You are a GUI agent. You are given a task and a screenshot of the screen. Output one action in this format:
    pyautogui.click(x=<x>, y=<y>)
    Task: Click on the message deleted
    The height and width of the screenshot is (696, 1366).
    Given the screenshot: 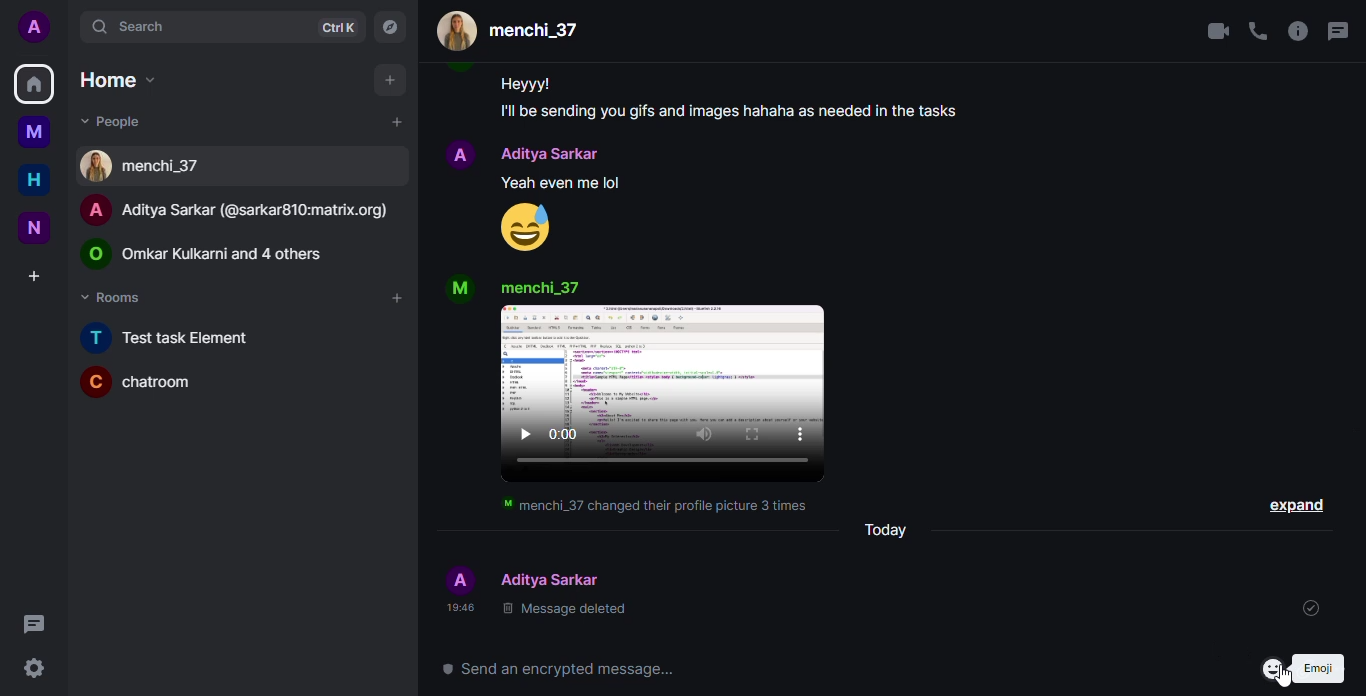 What is the action you would take?
    pyautogui.click(x=566, y=610)
    